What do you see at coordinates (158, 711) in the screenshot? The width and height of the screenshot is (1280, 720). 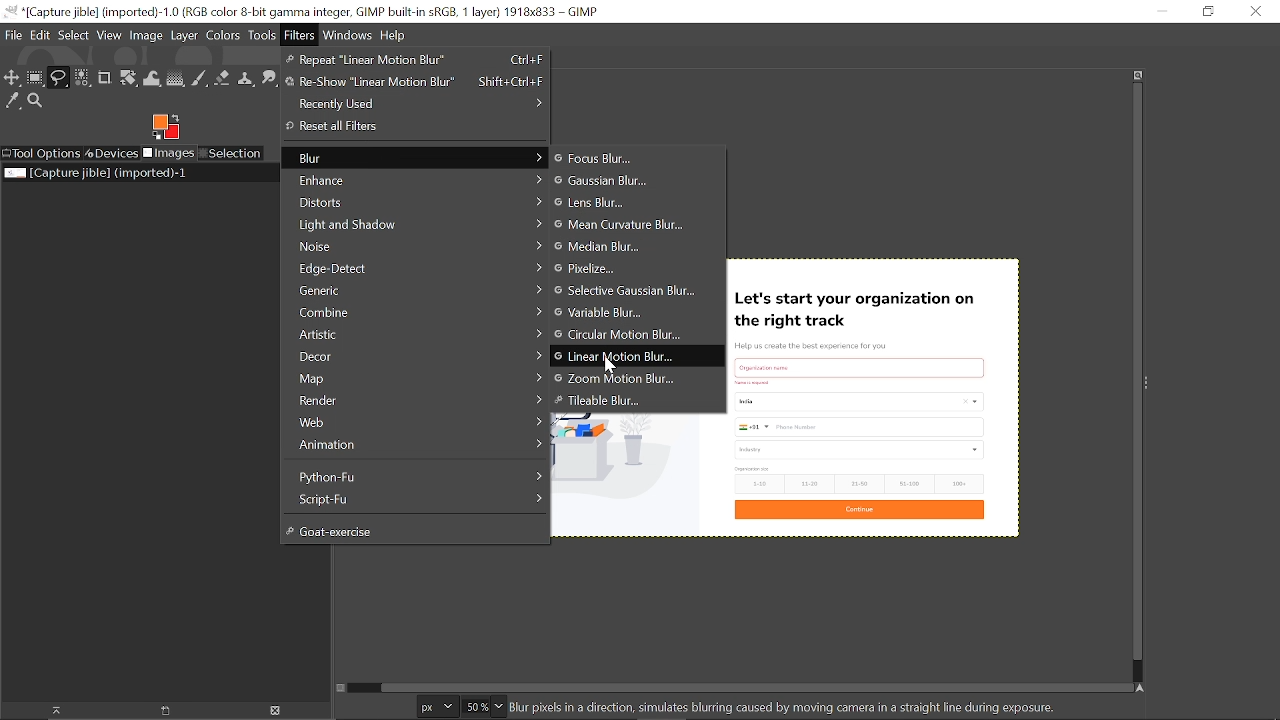 I see `open new display` at bounding box center [158, 711].